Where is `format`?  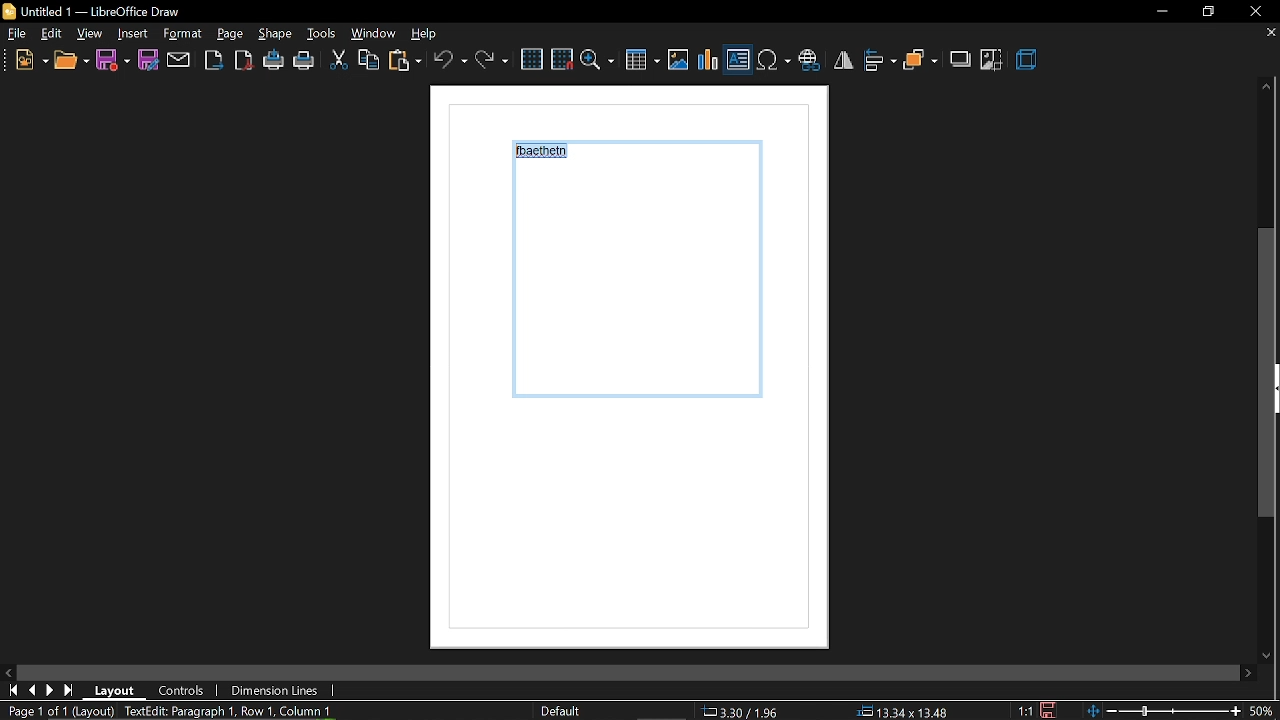
format is located at coordinates (231, 34).